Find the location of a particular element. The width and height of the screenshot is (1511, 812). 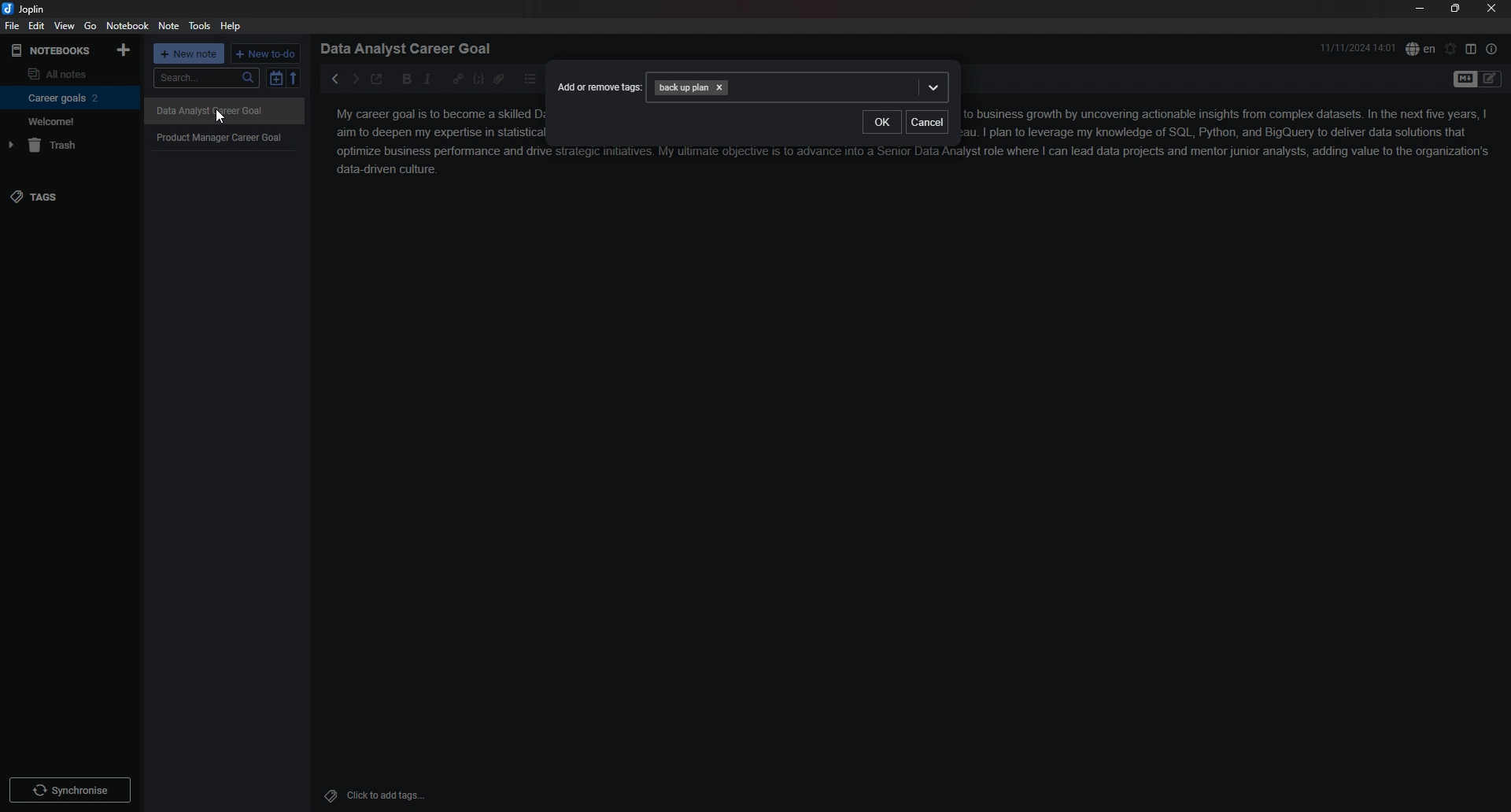

cancel is located at coordinates (928, 124).